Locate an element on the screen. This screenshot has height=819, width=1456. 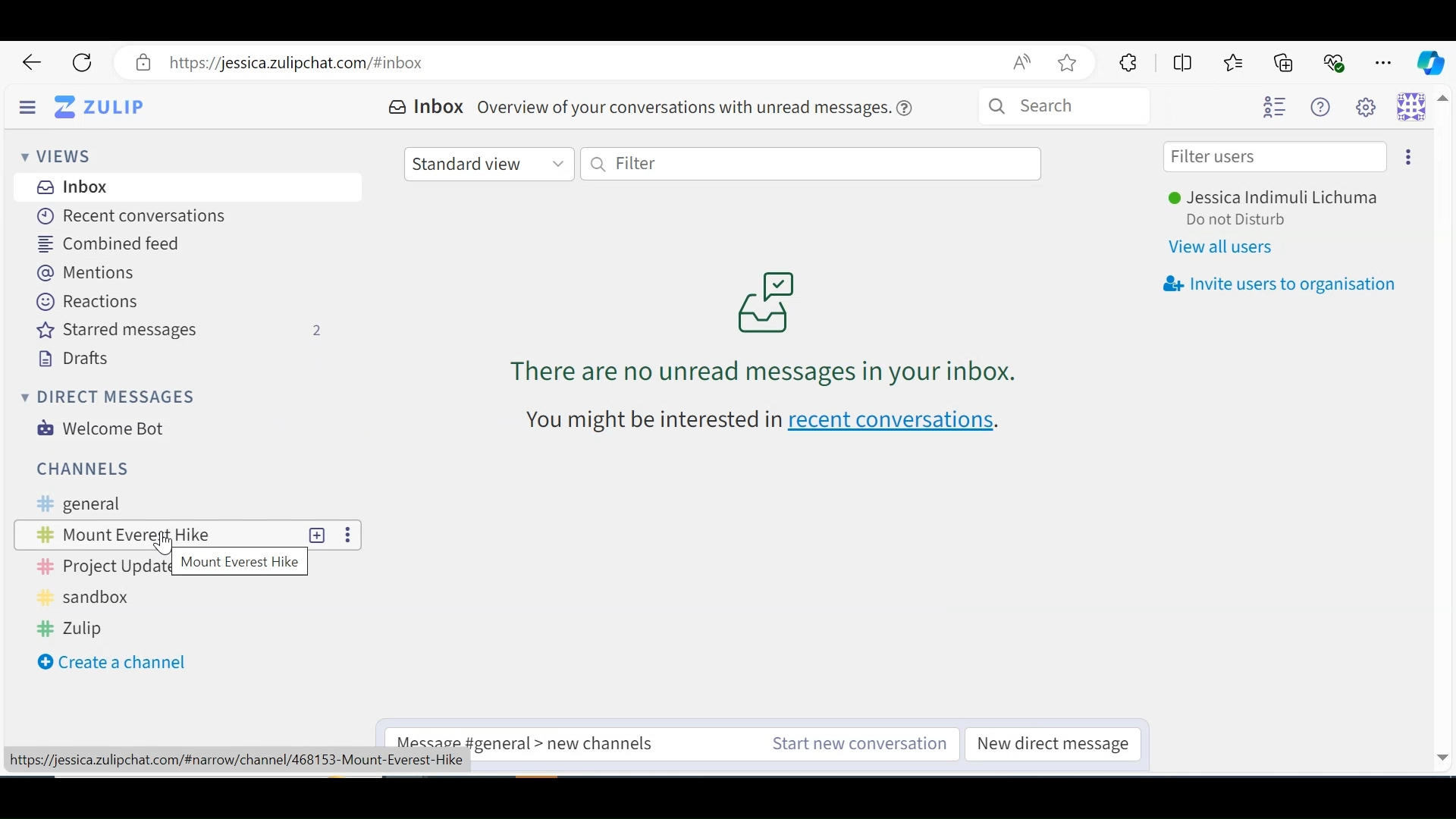
Browser essentials is located at coordinates (1335, 61).